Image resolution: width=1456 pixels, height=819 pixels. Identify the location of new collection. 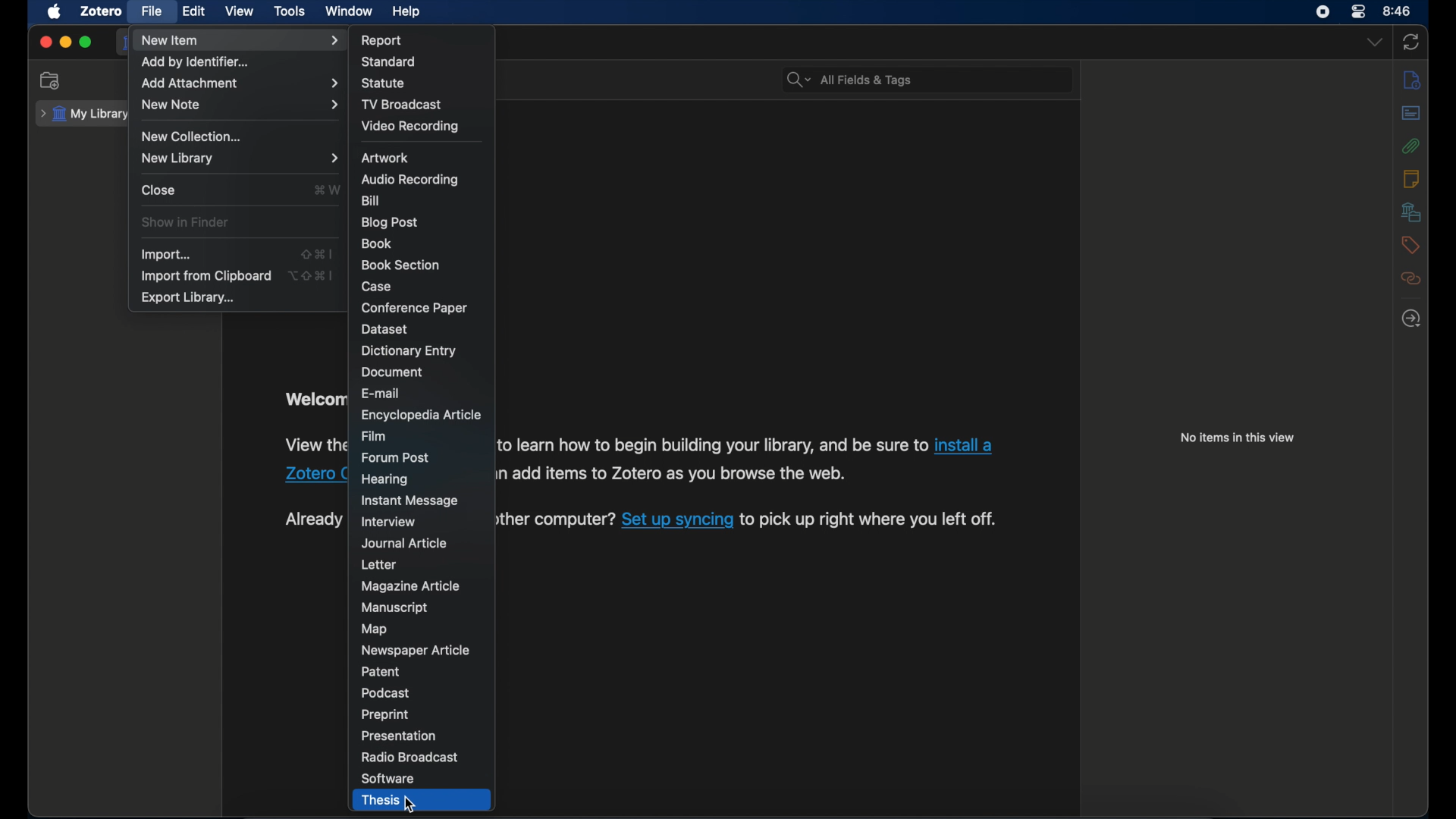
(195, 135).